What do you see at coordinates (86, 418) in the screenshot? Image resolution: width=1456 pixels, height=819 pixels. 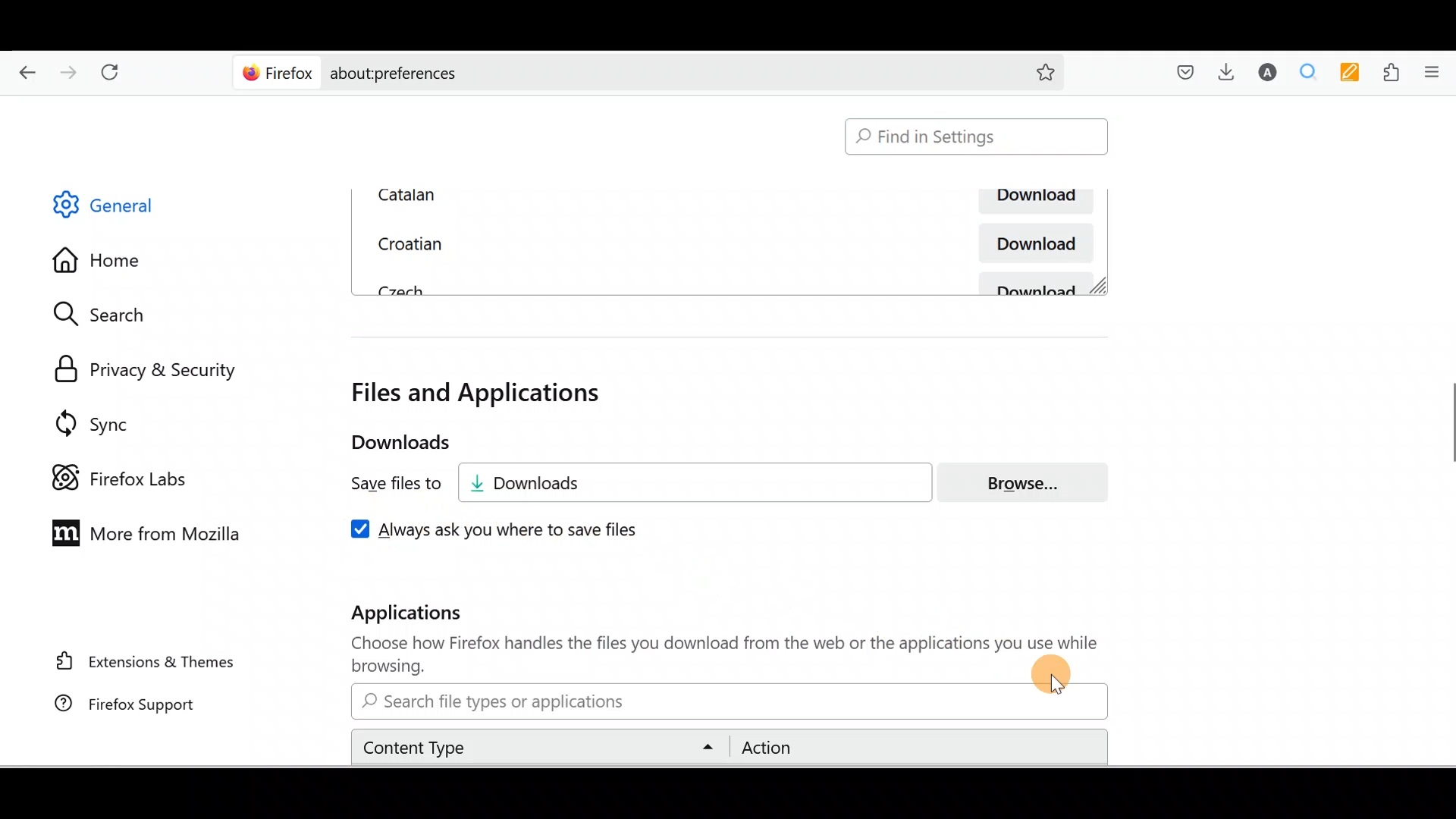 I see `Sync` at bounding box center [86, 418].